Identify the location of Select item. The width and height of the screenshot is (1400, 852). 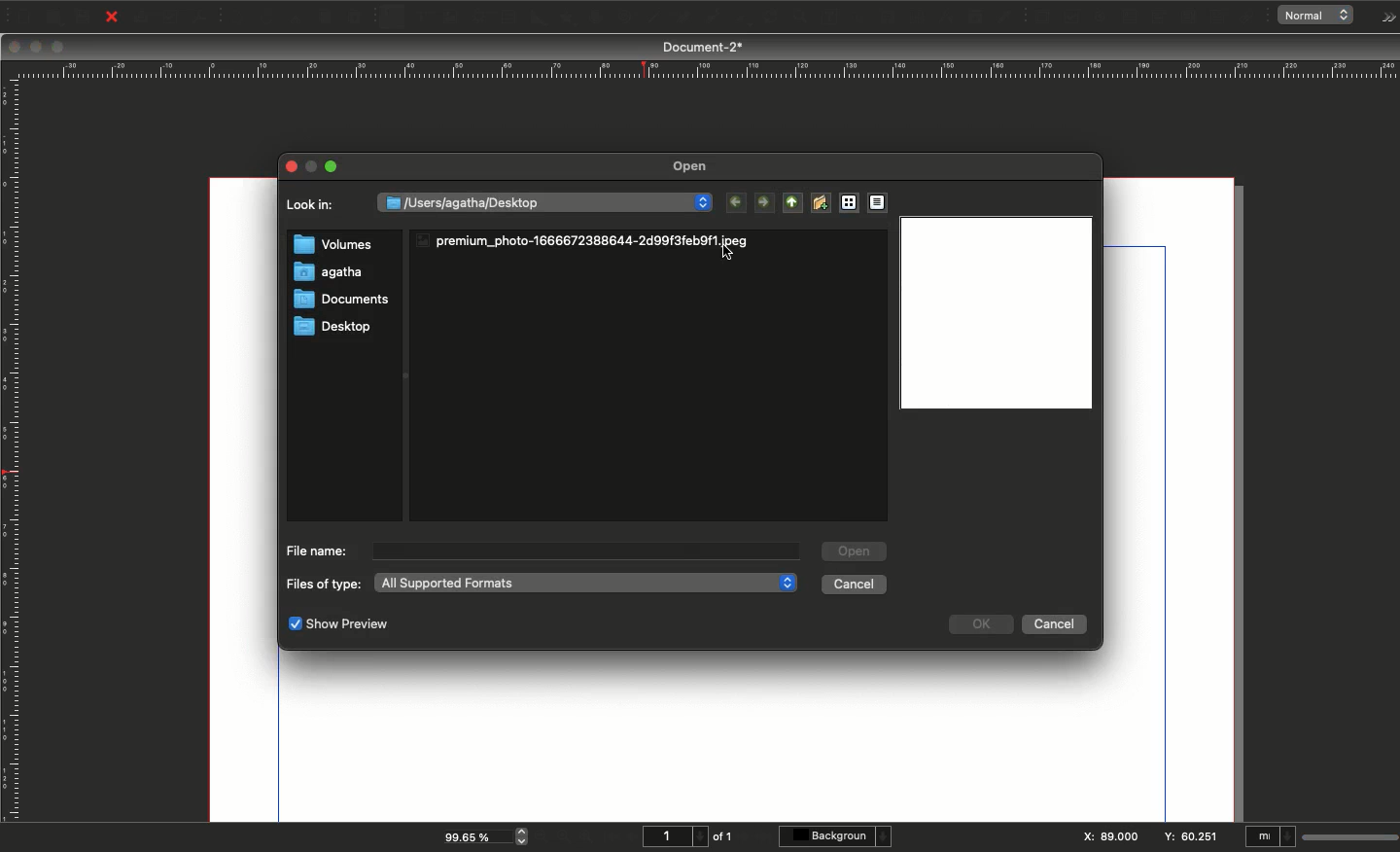
(393, 18).